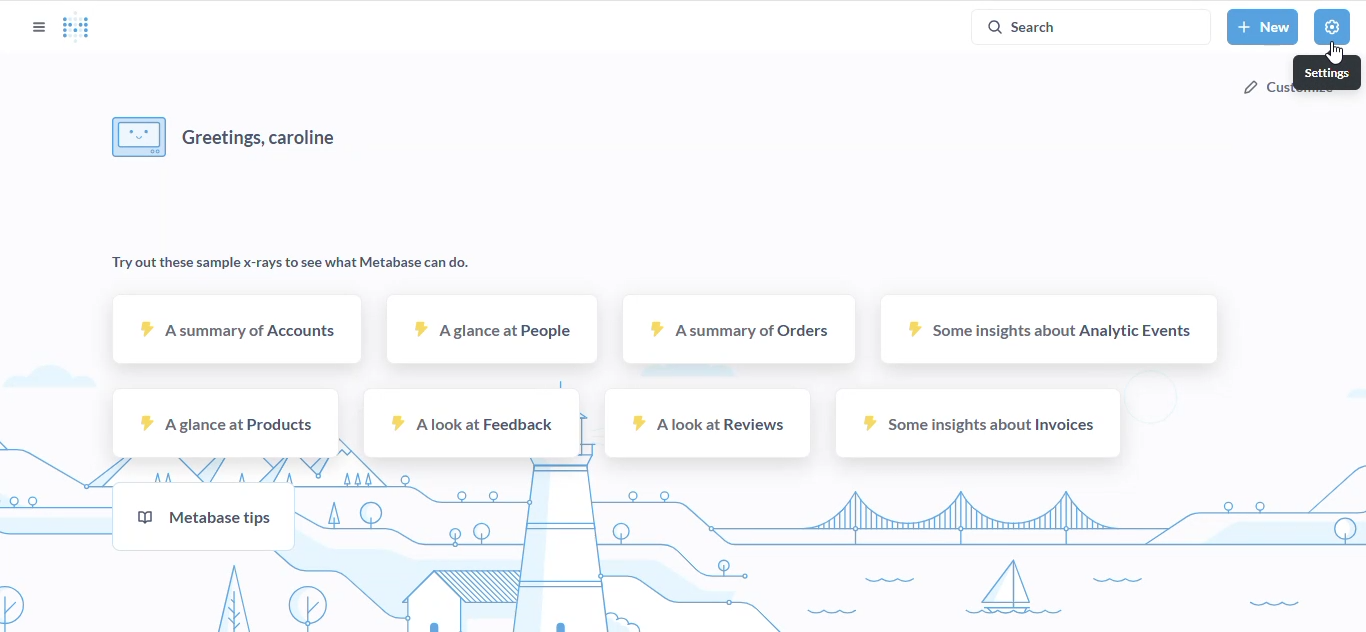  Describe the element at coordinates (38, 27) in the screenshot. I see `open sidebar` at that location.